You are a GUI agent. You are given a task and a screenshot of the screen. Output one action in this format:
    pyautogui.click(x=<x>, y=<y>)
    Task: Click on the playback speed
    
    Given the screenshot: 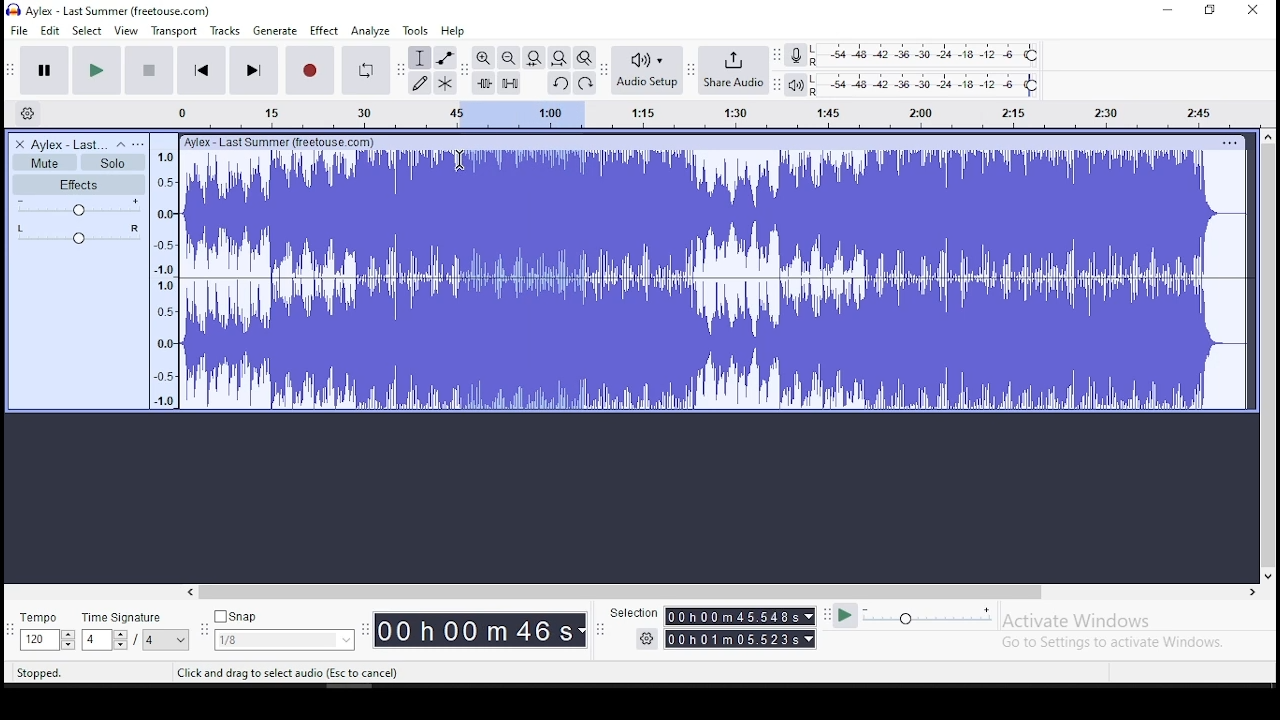 What is the action you would take?
    pyautogui.click(x=928, y=617)
    